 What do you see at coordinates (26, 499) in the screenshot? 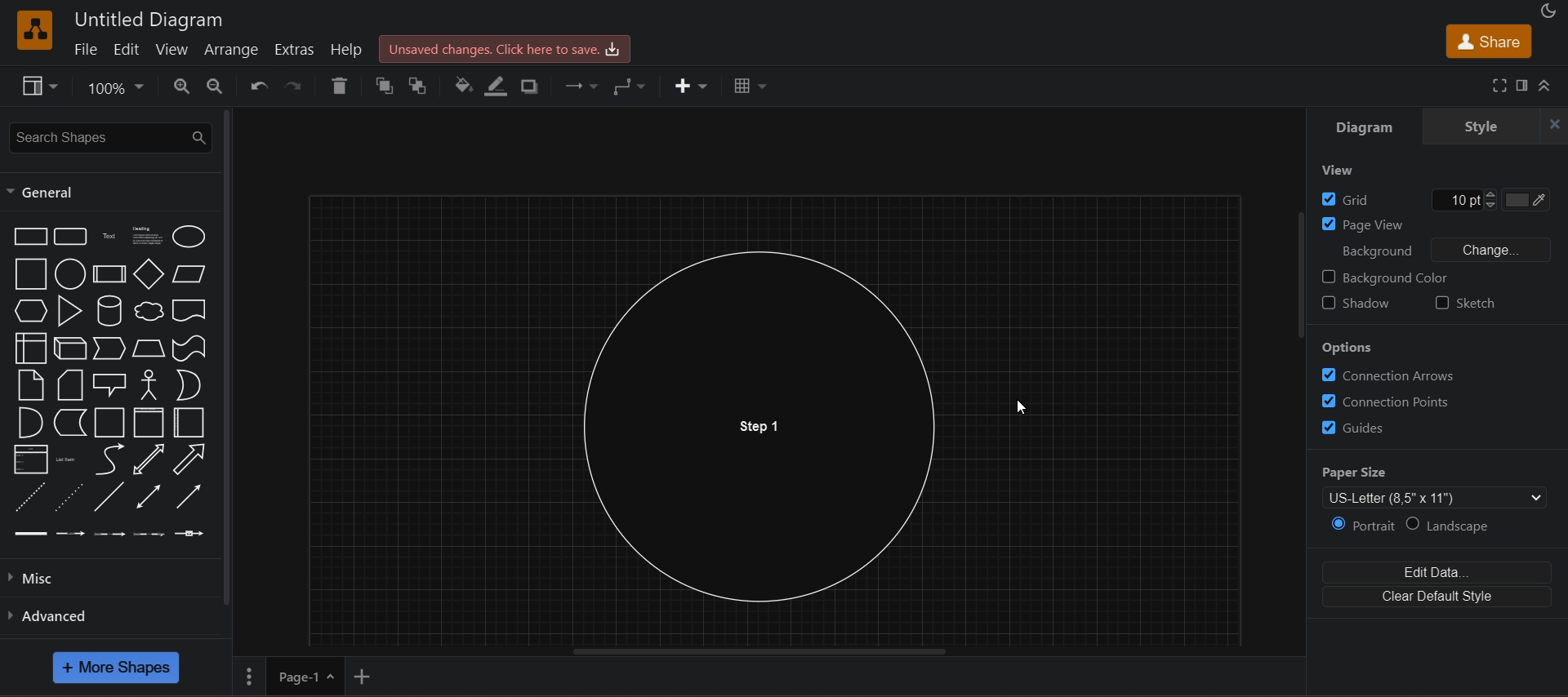
I see `dashed line` at bounding box center [26, 499].